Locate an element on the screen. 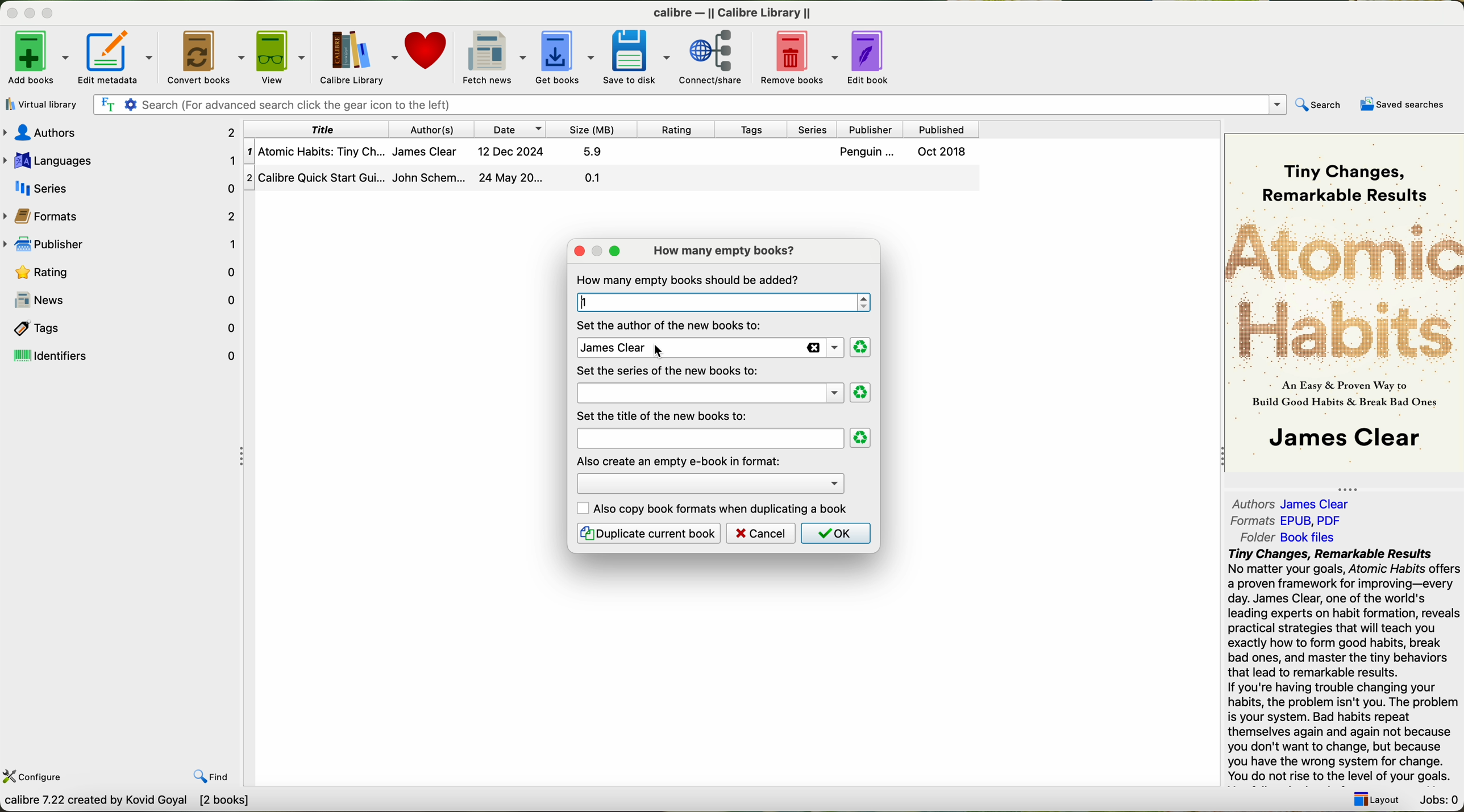 This screenshot has height=812, width=1464. first book is located at coordinates (614, 151).